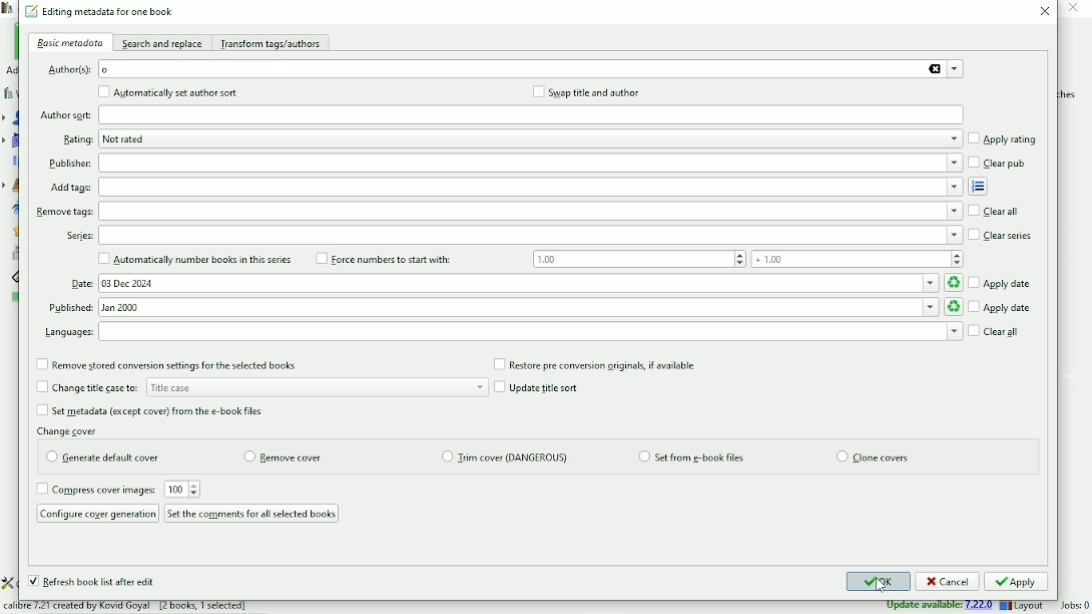 This screenshot has width=1092, height=614. Describe the element at coordinates (691, 457) in the screenshot. I see `set from e-book files` at that location.